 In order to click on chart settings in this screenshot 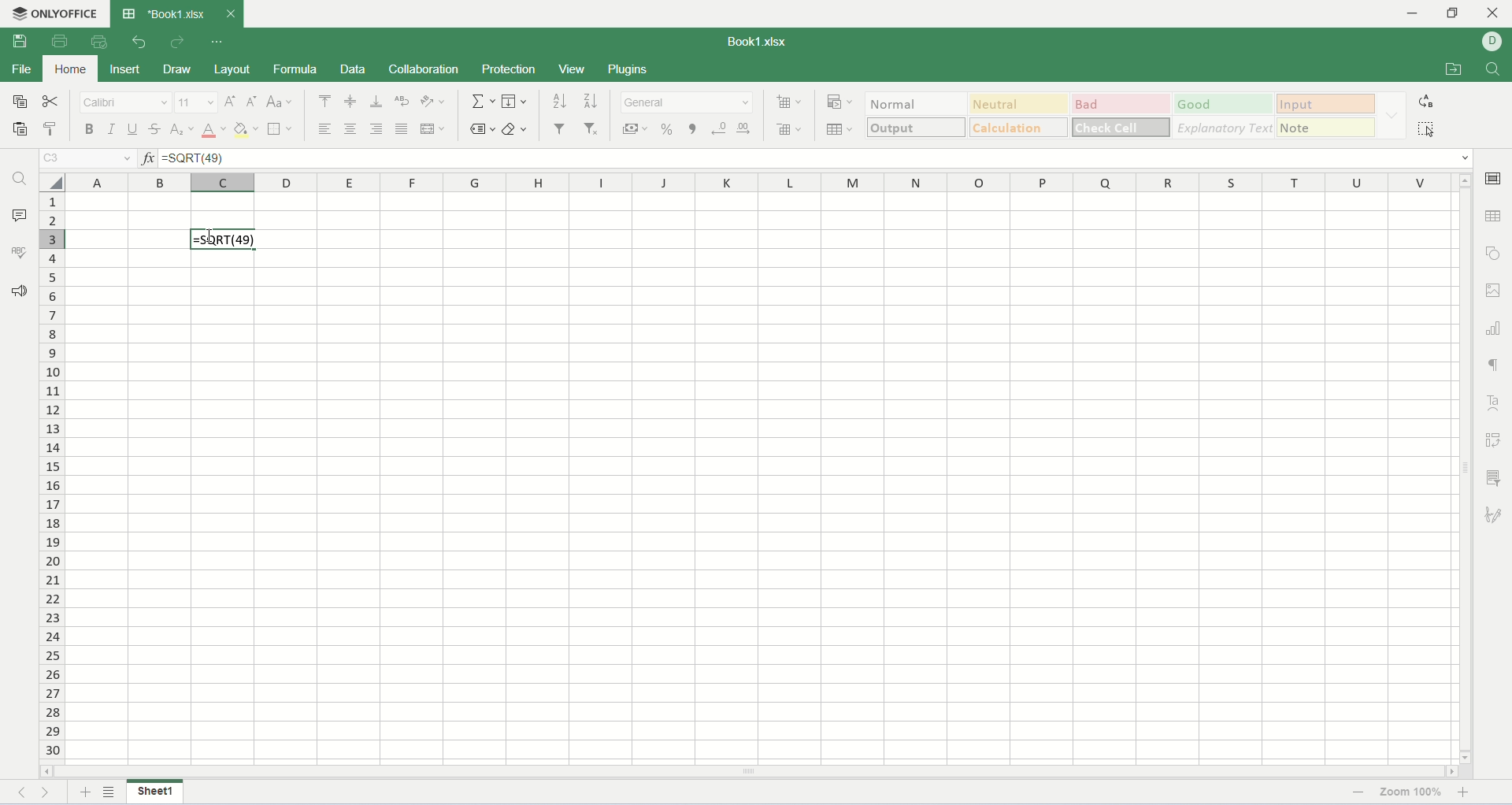, I will do `click(1495, 331)`.